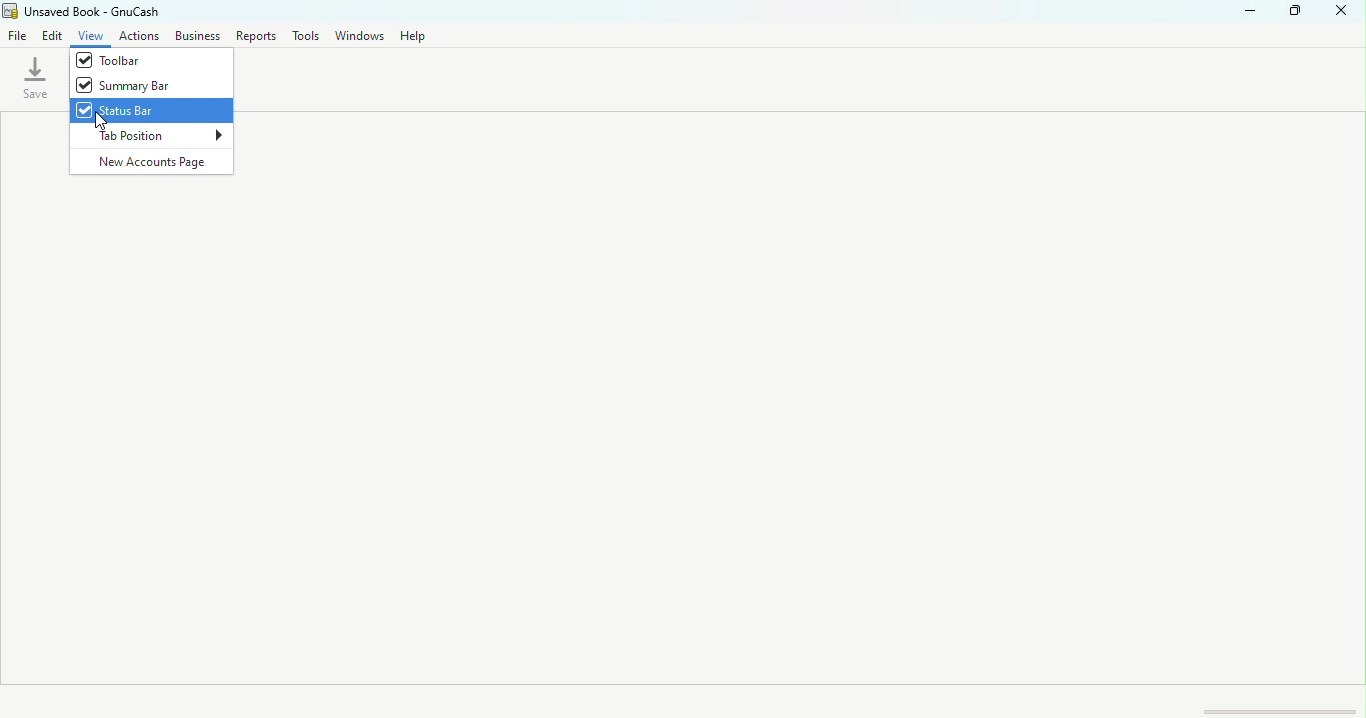 The image size is (1366, 718). What do you see at coordinates (95, 122) in the screenshot?
I see `cursor` at bounding box center [95, 122].